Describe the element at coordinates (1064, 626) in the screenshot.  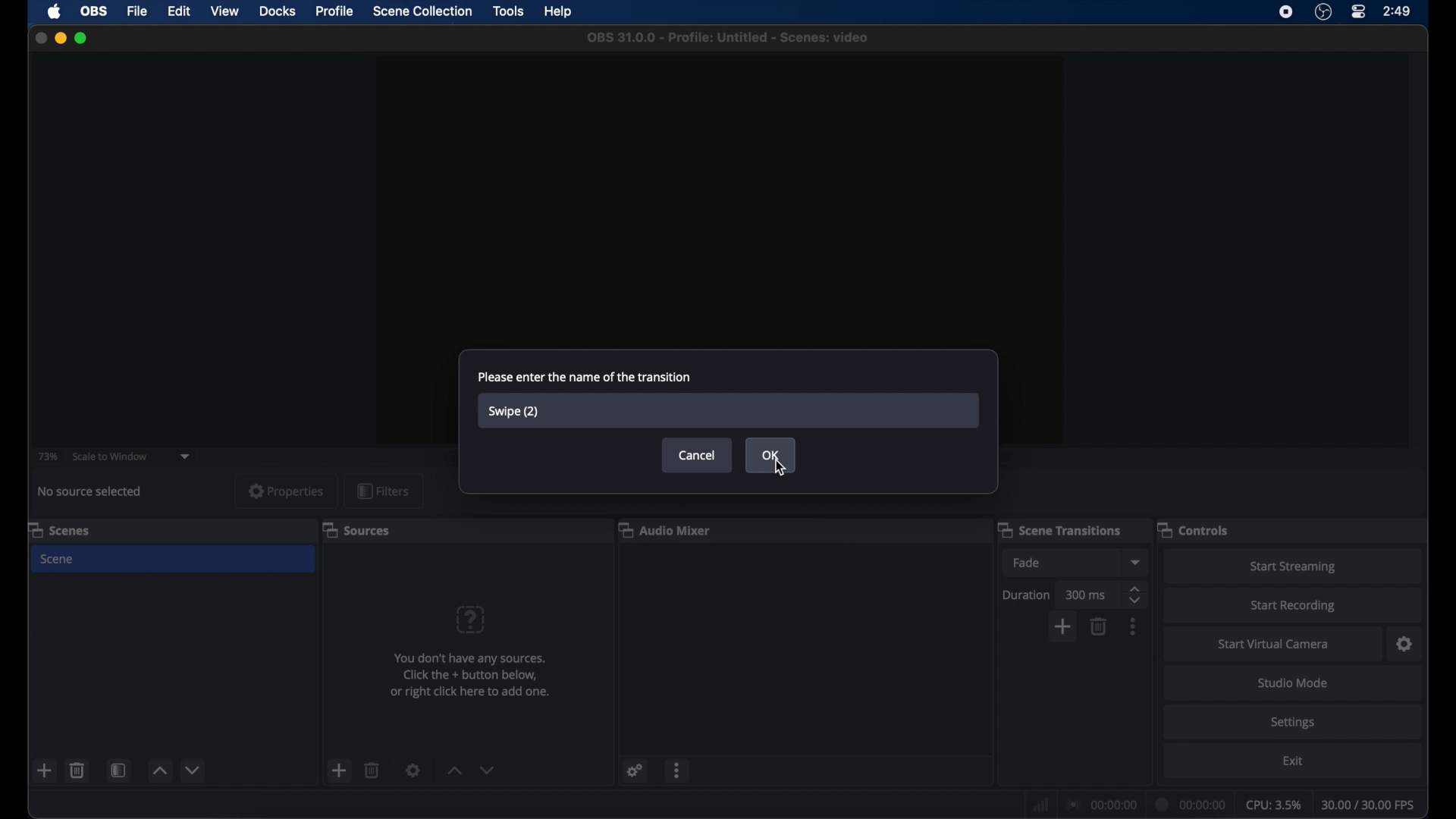
I see `add` at that location.